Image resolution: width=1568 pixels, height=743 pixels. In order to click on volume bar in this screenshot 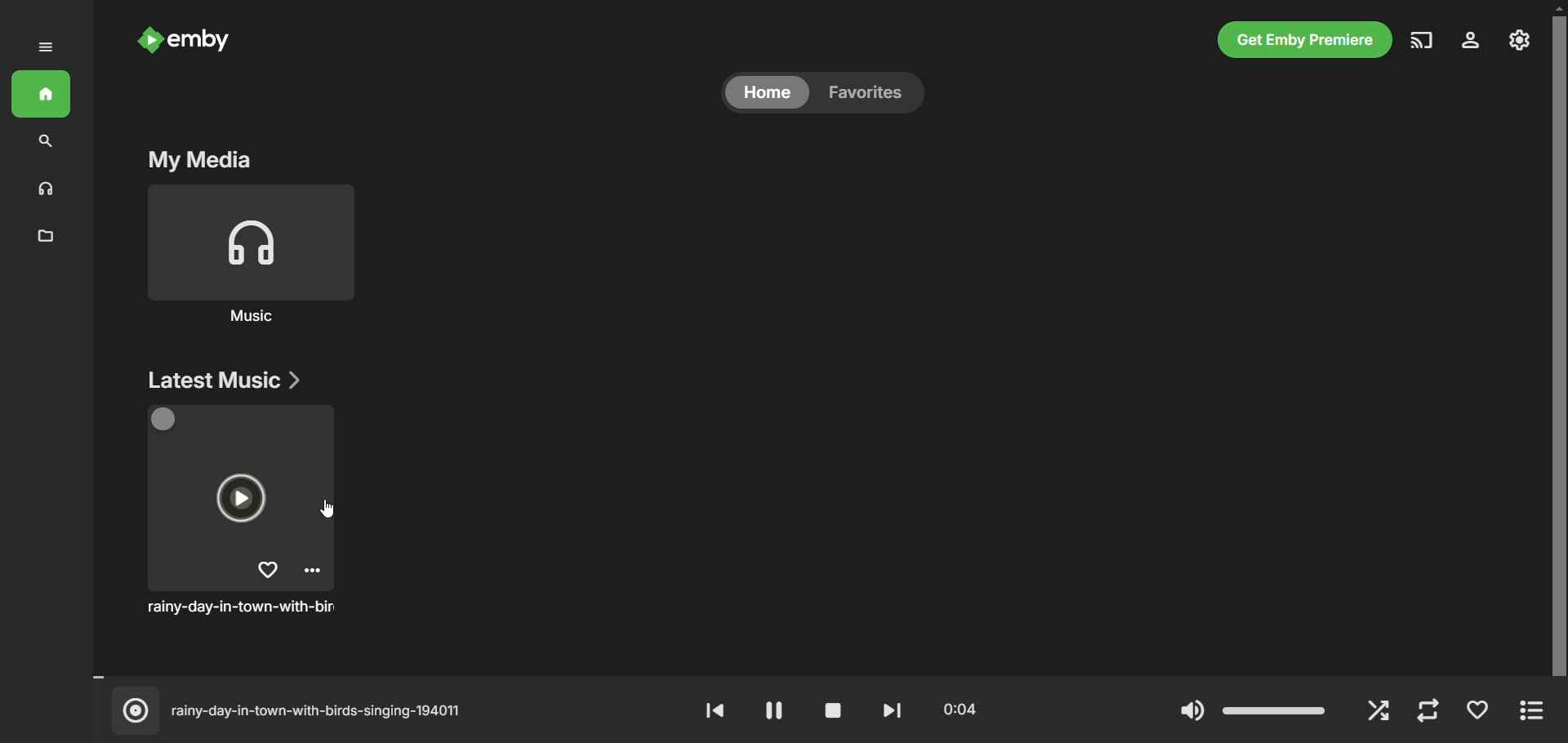, I will do `click(1252, 709)`.